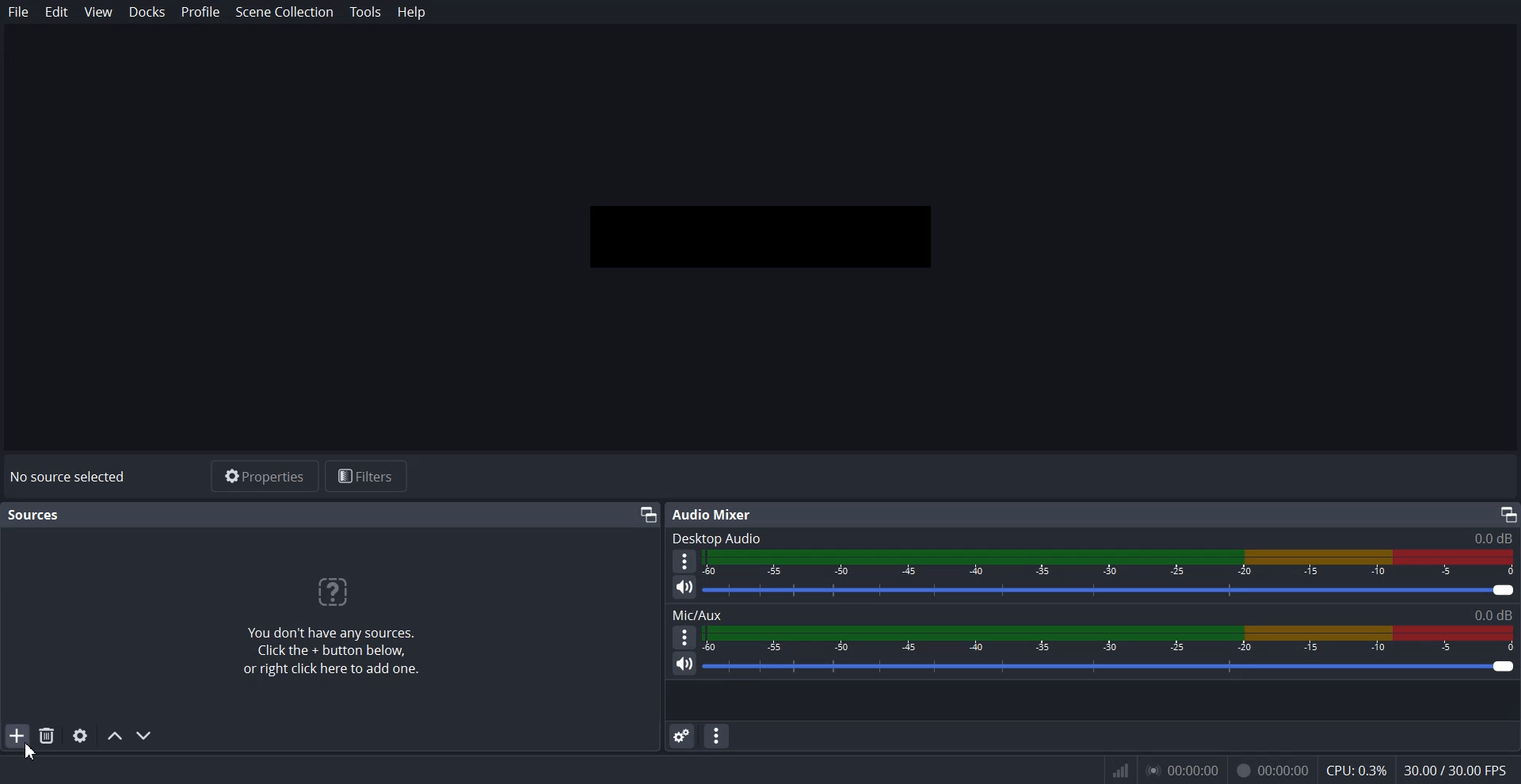 Image resolution: width=1521 pixels, height=784 pixels. What do you see at coordinates (145, 735) in the screenshot?
I see `Move Source down` at bounding box center [145, 735].